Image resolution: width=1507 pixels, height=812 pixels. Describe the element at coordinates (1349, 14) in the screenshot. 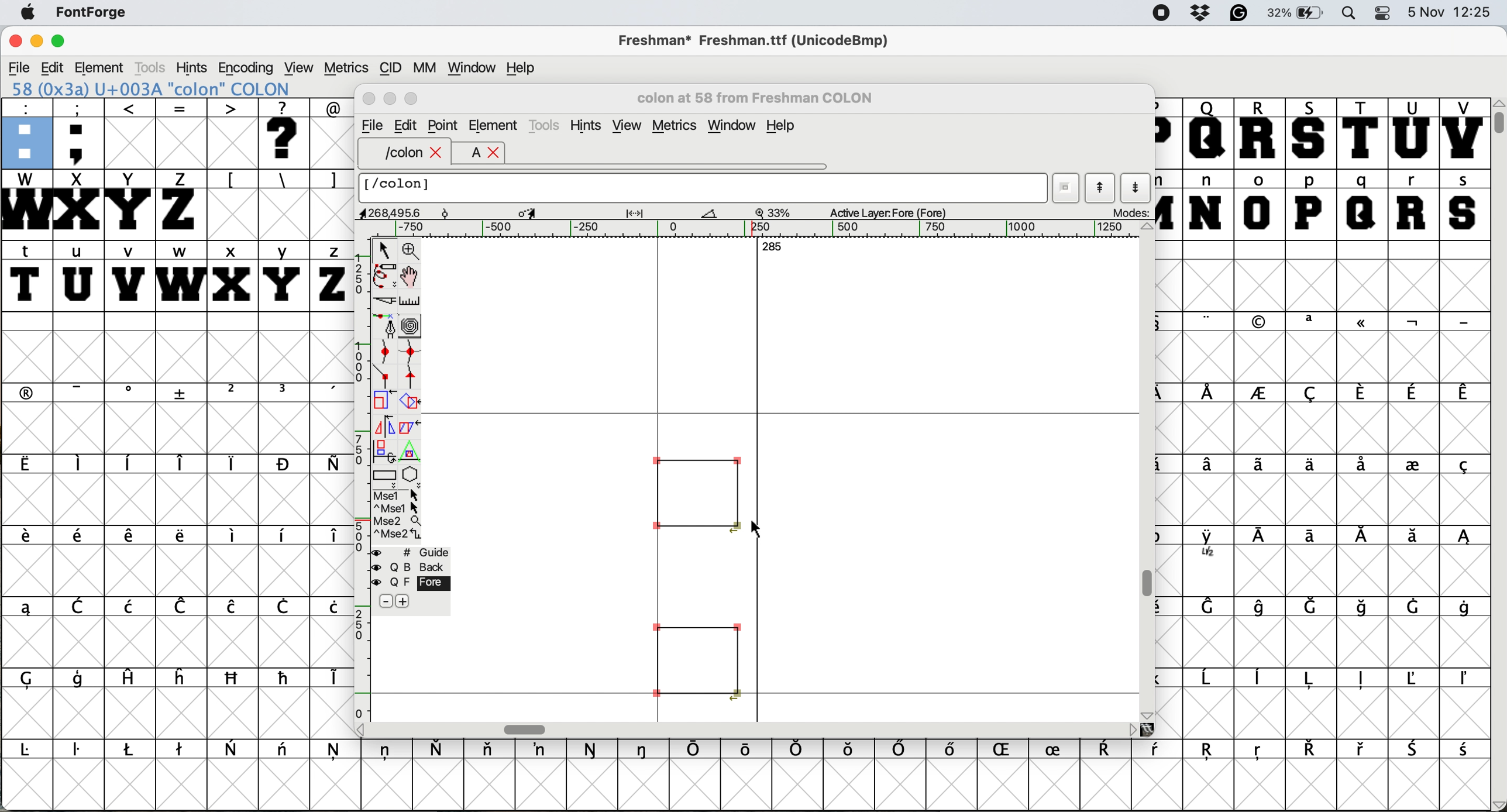

I see `spotlight search` at that location.